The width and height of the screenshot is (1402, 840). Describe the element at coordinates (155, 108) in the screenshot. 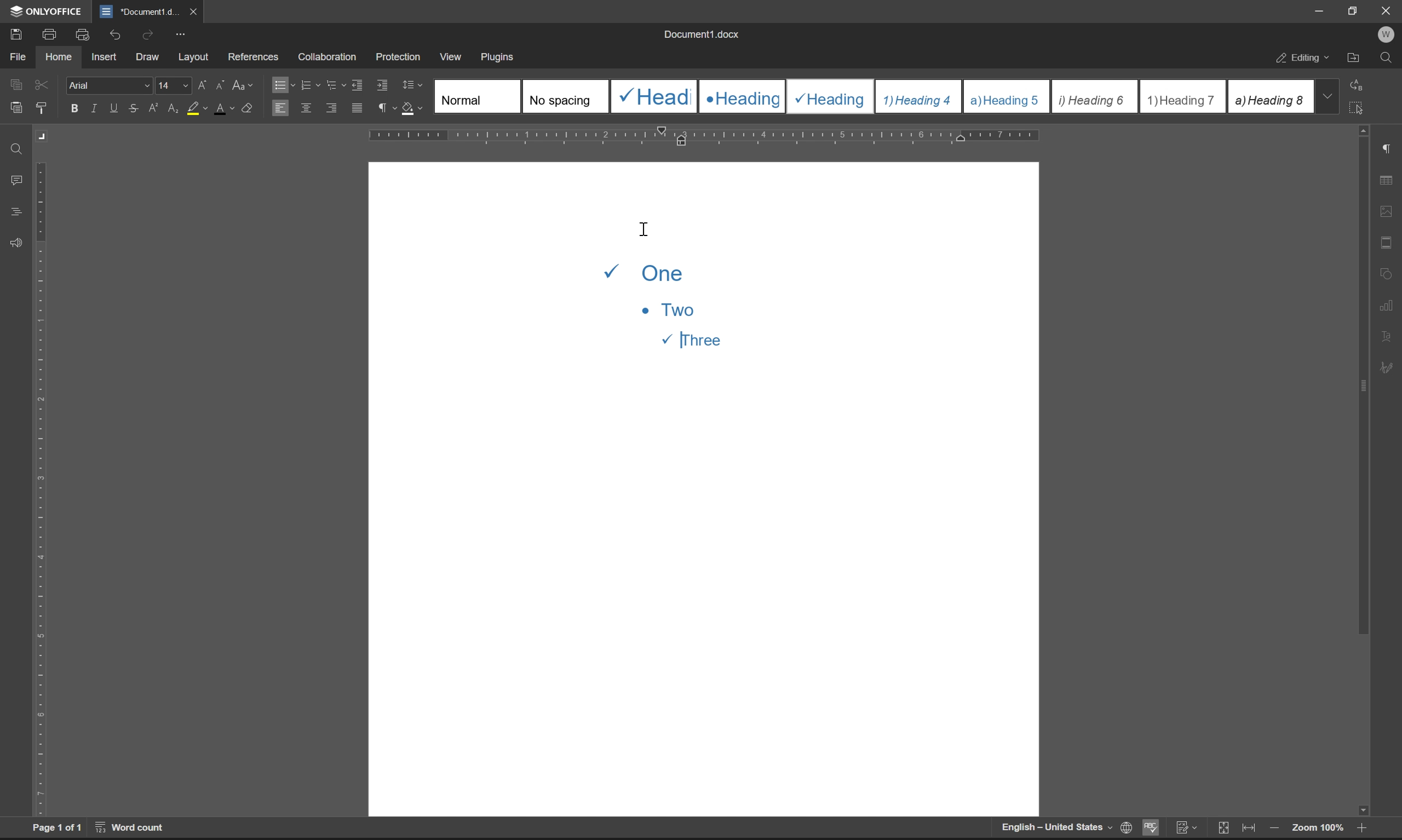

I see `superscript` at that location.